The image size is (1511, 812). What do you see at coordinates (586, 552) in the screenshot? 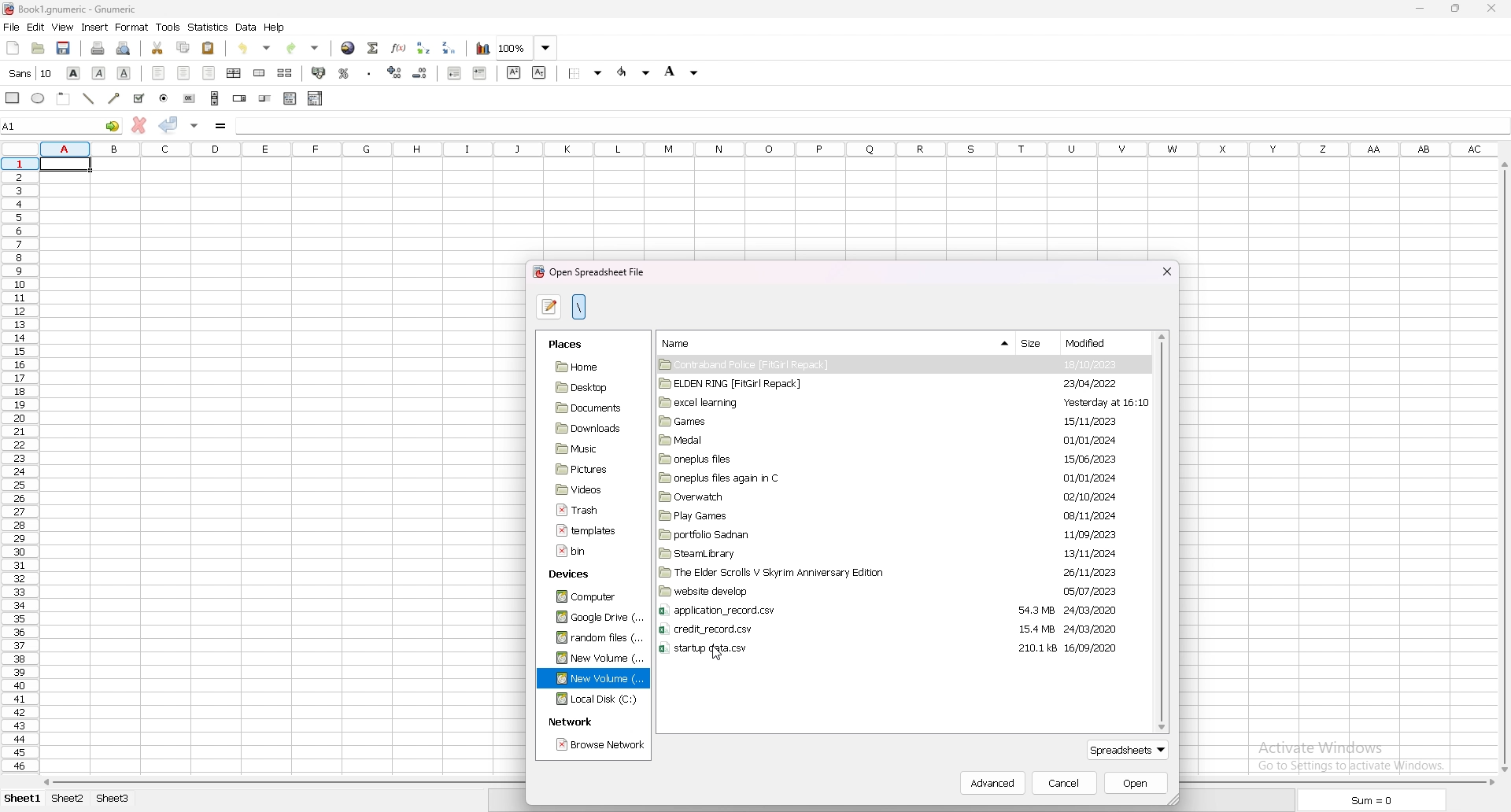
I see `file` at bounding box center [586, 552].